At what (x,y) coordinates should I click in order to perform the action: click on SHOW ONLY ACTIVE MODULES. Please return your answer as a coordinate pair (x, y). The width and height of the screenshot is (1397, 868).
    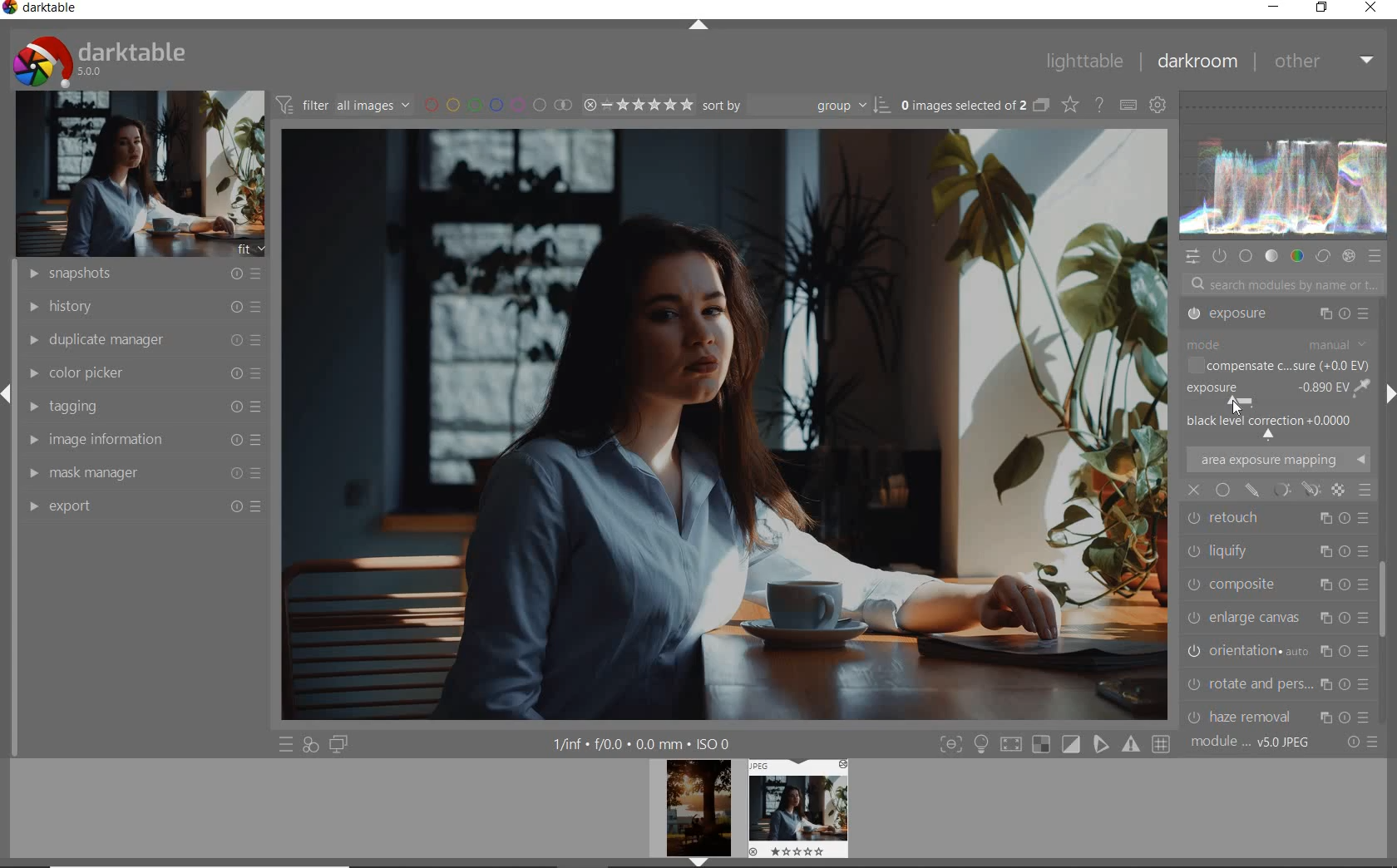
    Looking at the image, I should click on (1219, 257).